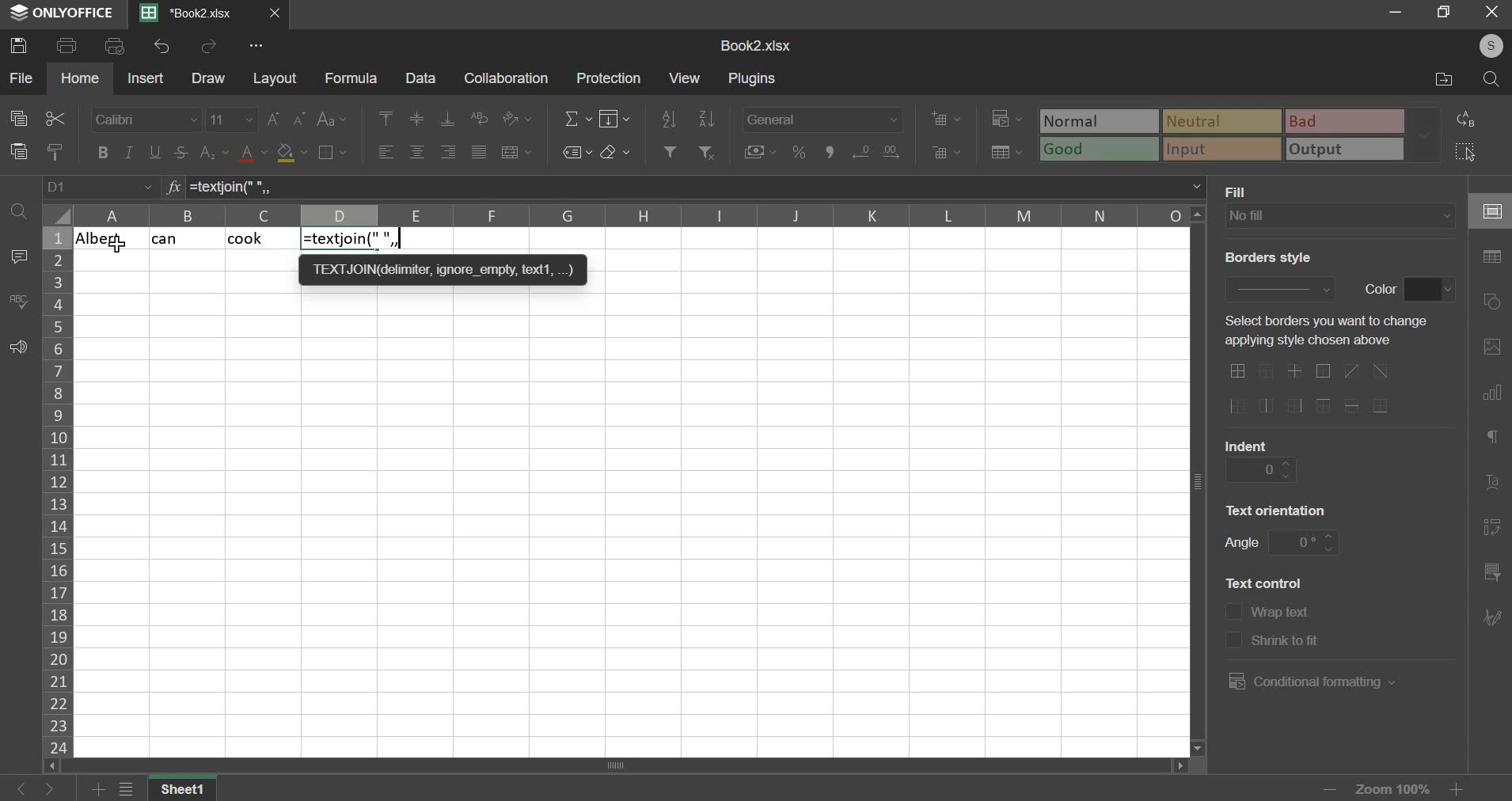 The width and height of the screenshot is (1512, 801). Describe the element at coordinates (822, 117) in the screenshot. I see `number format` at that location.